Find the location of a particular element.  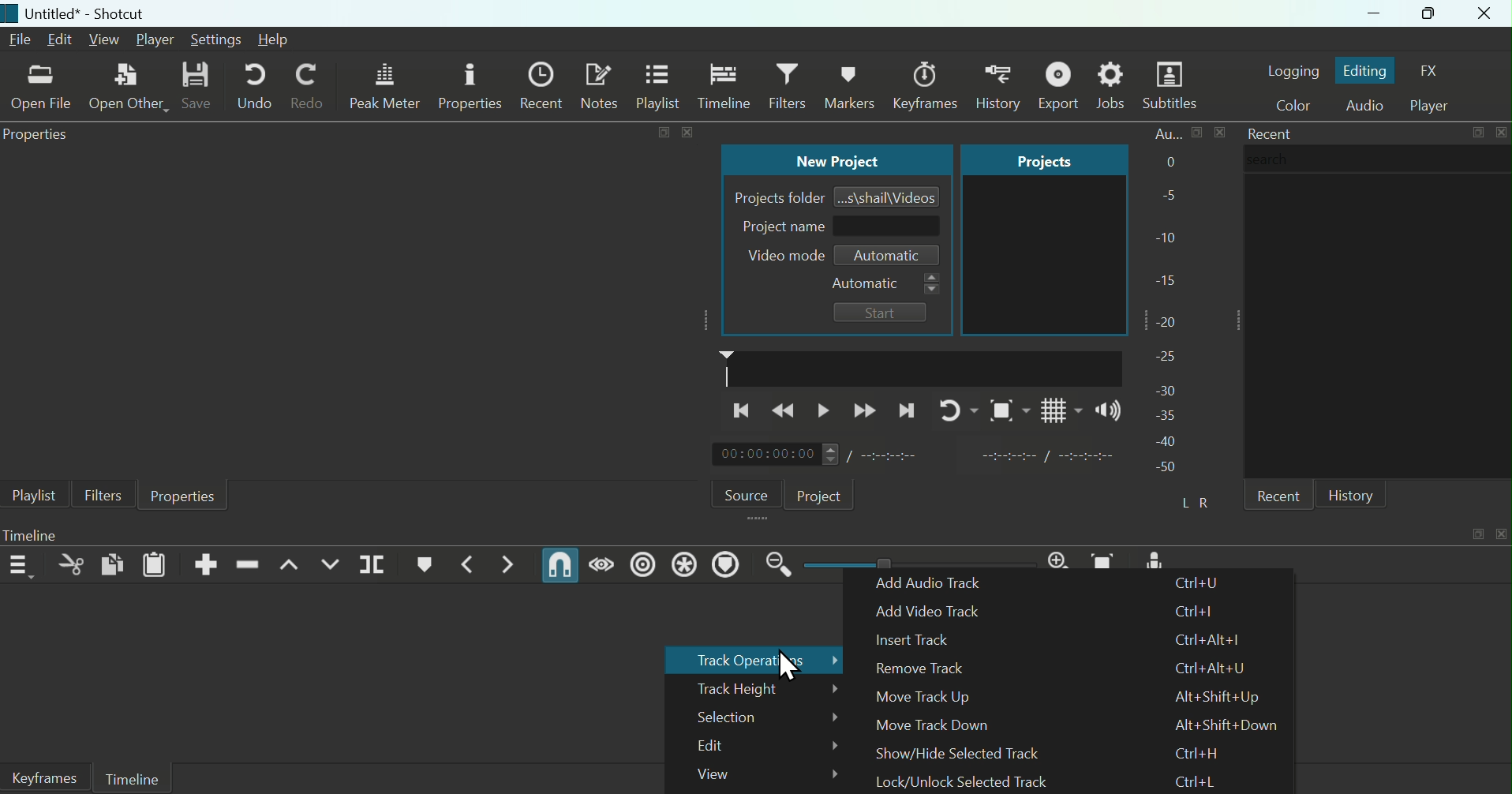

Close is located at coordinates (1485, 14).